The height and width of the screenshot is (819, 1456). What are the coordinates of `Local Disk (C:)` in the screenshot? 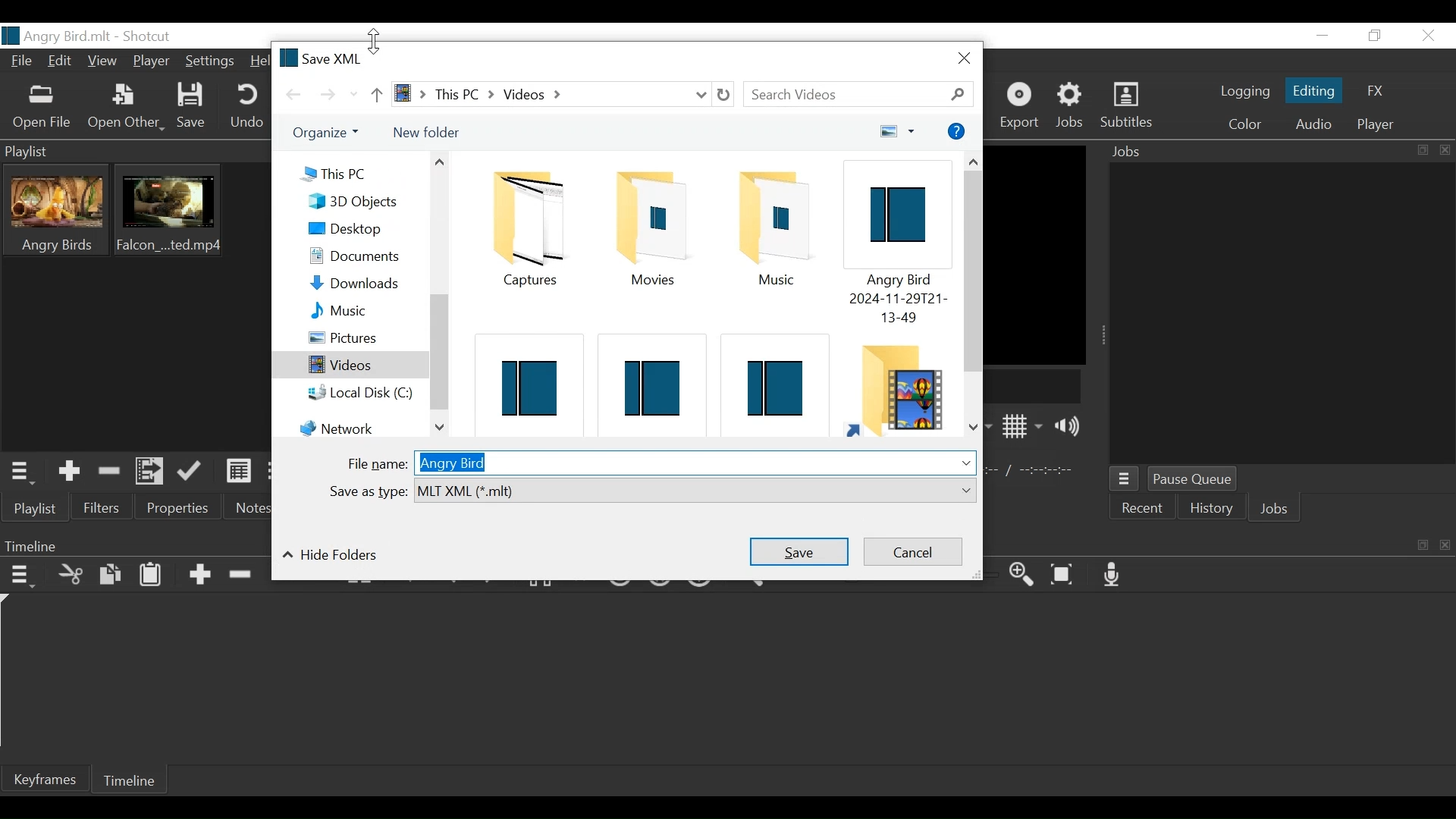 It's located at (366, 394).